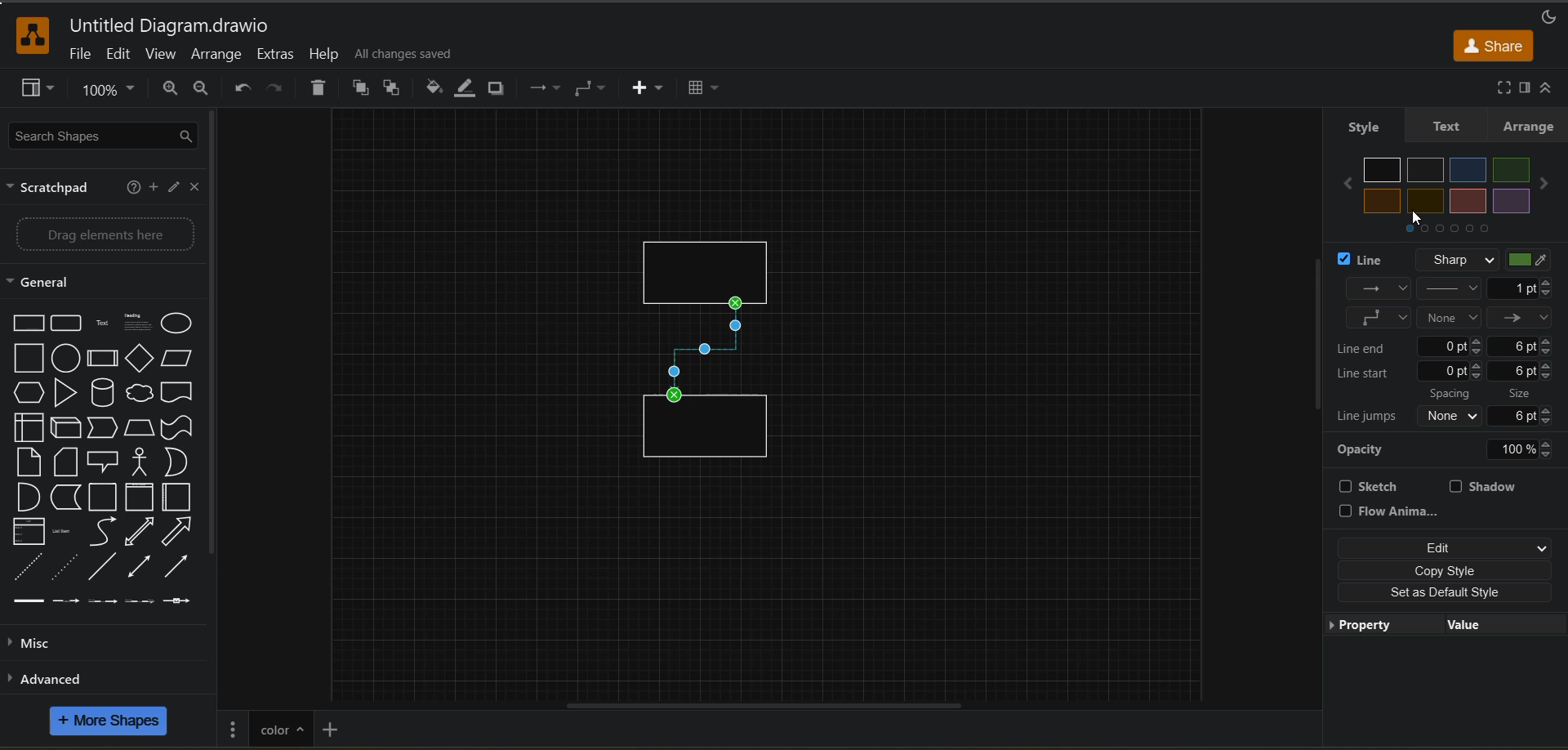 The width and height of the screenshot is (1568, 750). What do you see at coordinates (69, 532) in the screenshot?
I see `Item List` at bounding box center [69, 532].